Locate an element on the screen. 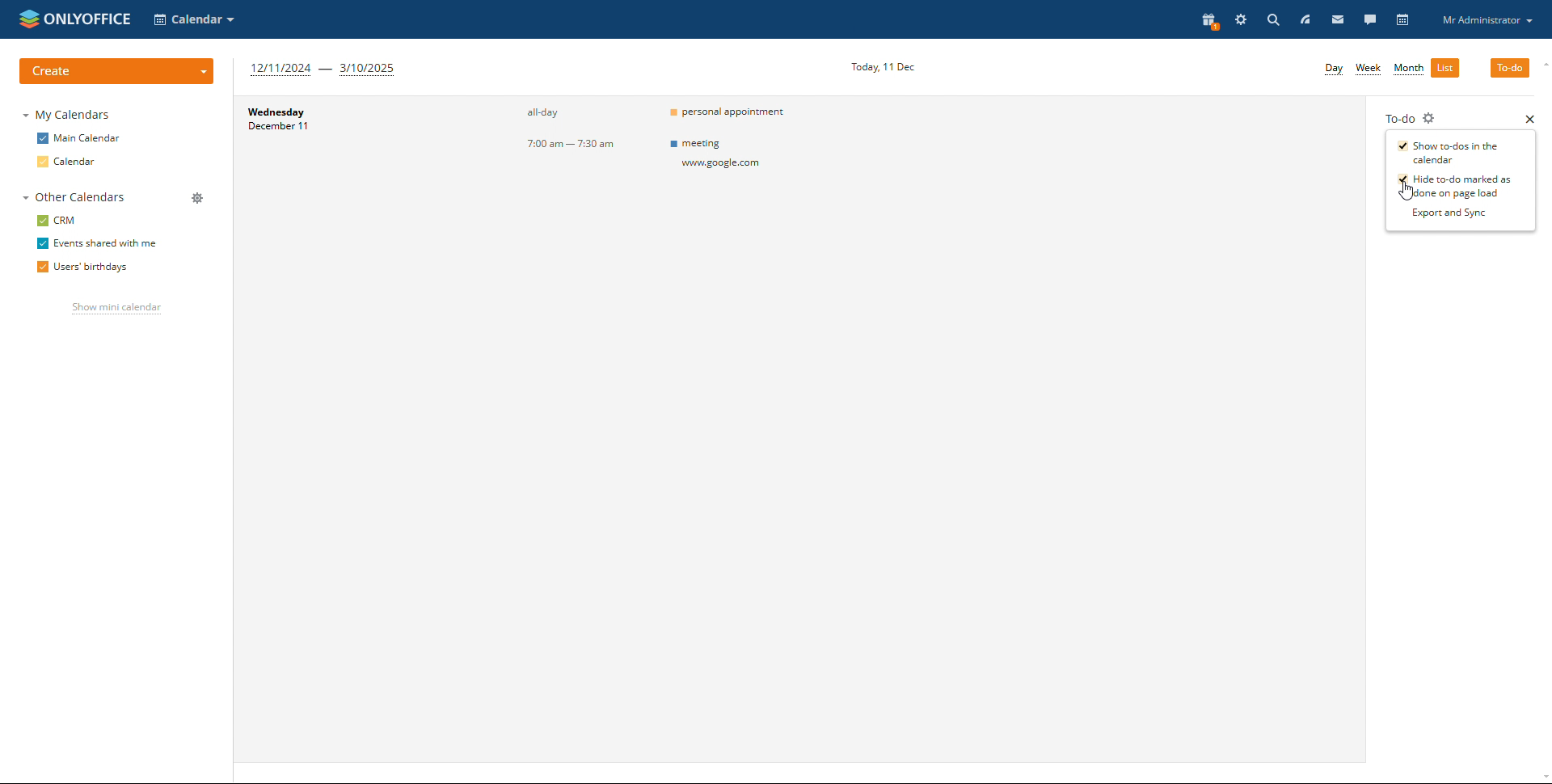 The width and height of the screenshot is (1552, 784). month view is located at coordinates (1408, 70).